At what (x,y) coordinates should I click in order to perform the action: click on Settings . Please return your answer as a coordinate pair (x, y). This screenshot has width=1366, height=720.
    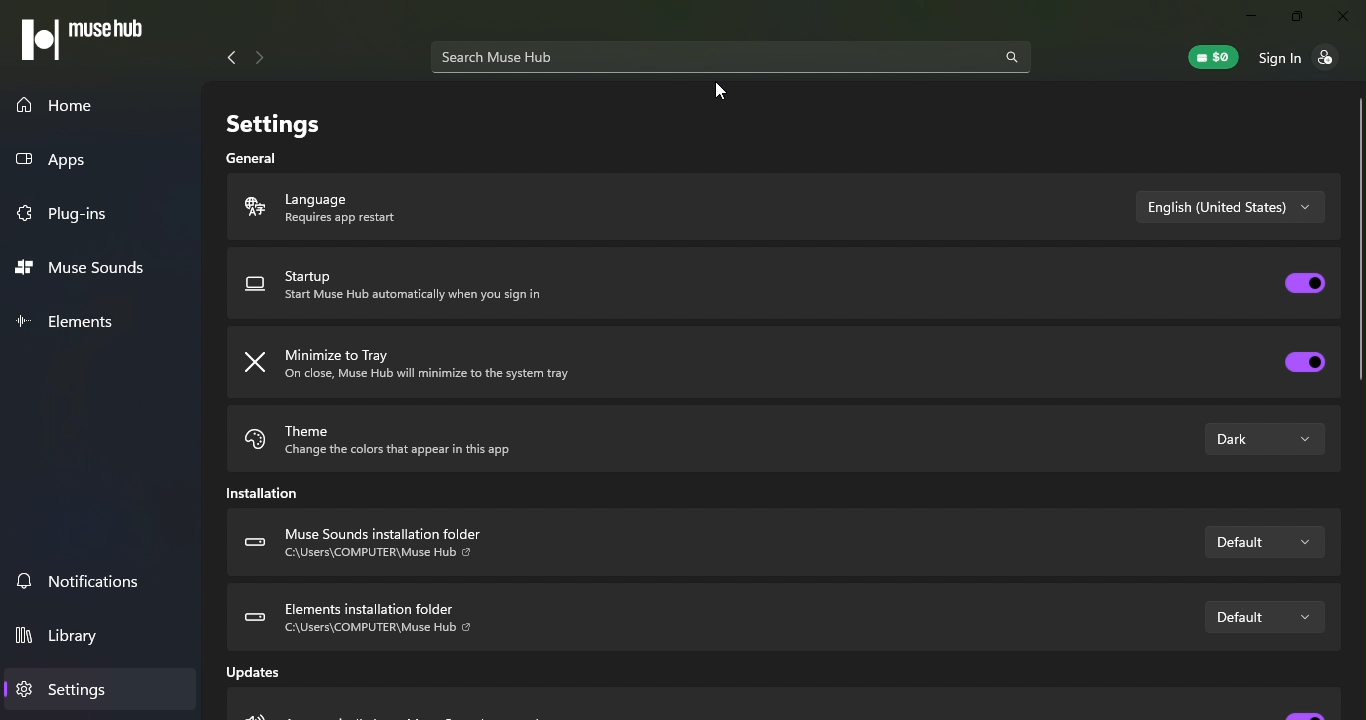
    Looking at the image, I should click on (267, 118).